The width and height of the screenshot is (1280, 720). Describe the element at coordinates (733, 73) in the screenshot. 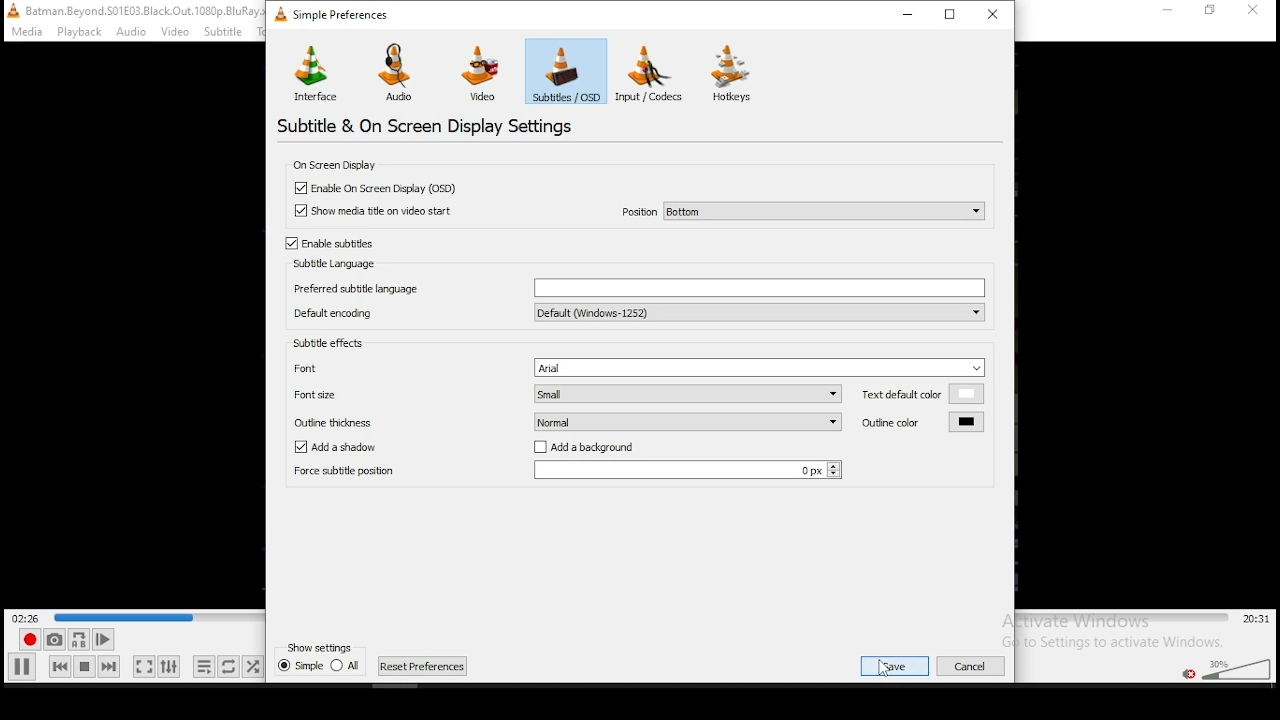

I see `hotkeys` at that location.